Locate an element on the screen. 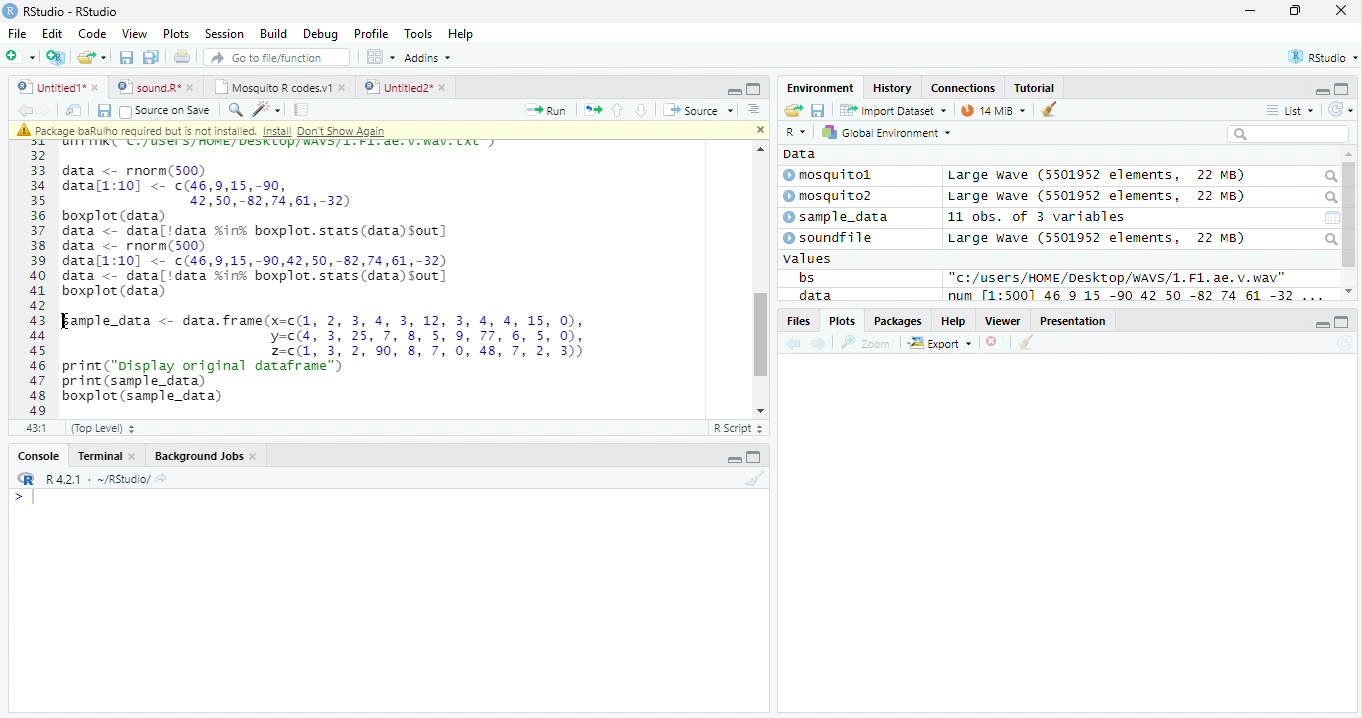  Go to previous section is located at coordinates (616, 110).